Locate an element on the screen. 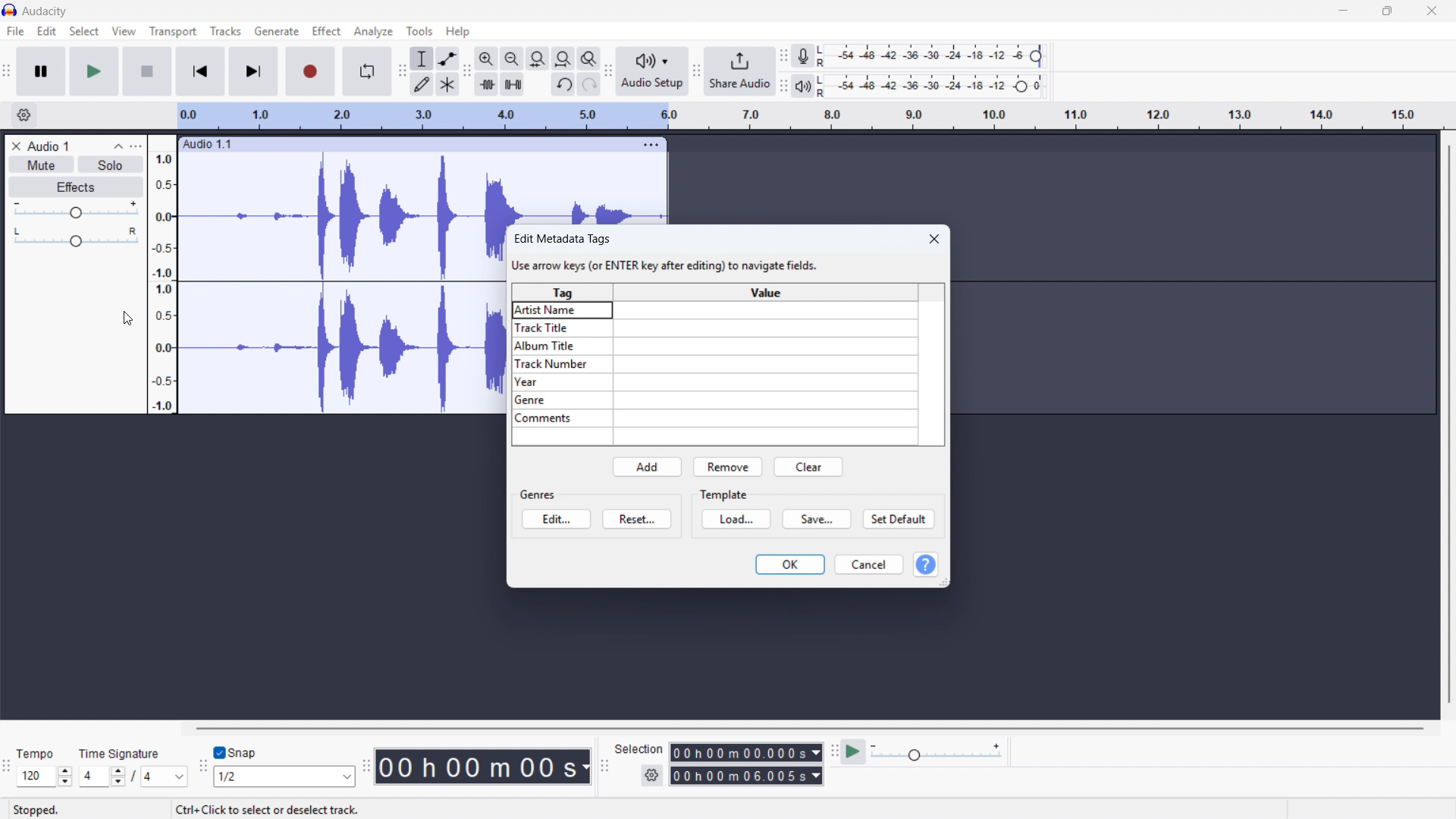  year is located at coordinates (715, 382).